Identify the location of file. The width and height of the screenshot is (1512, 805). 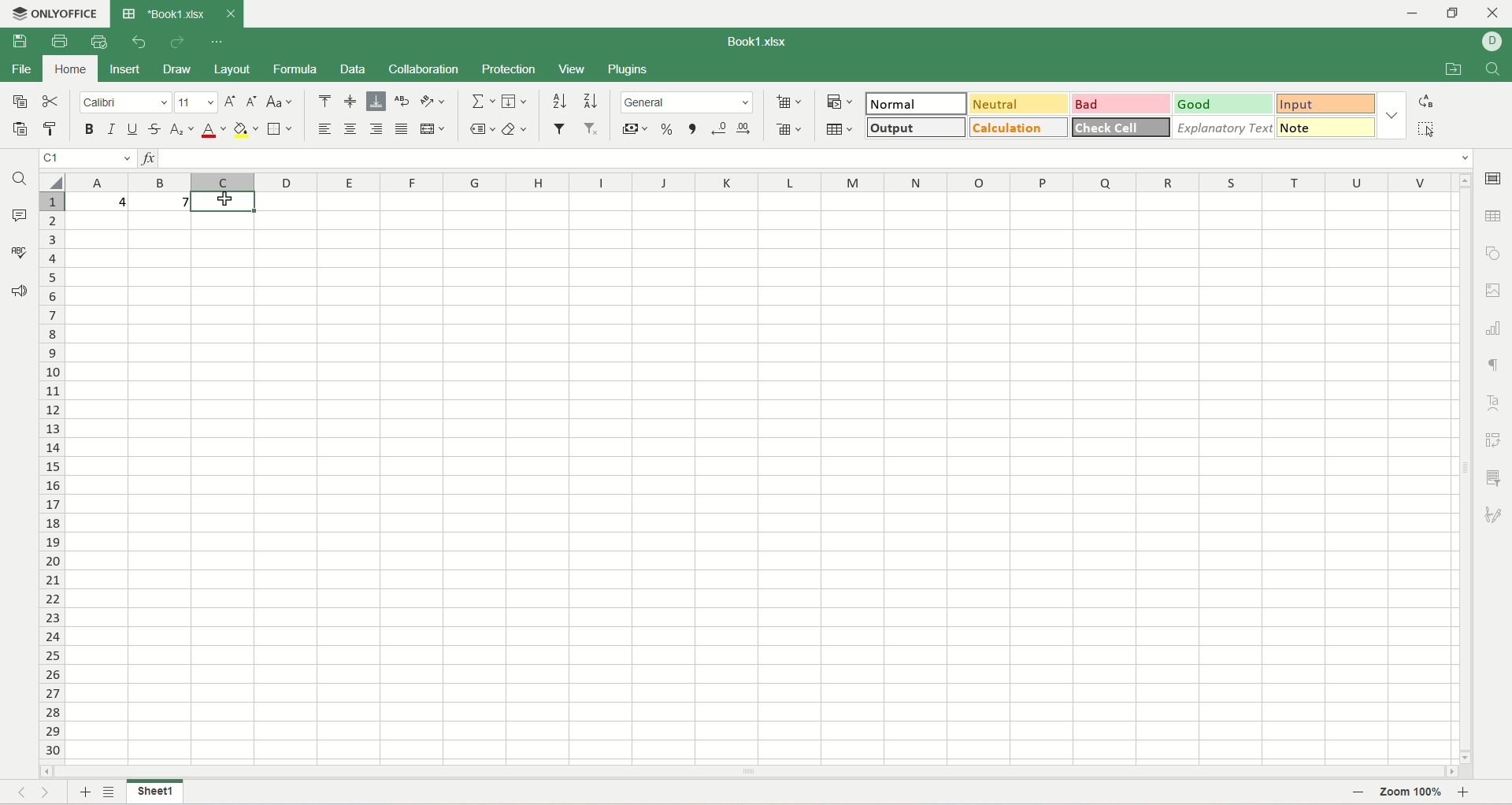
(20, 69).